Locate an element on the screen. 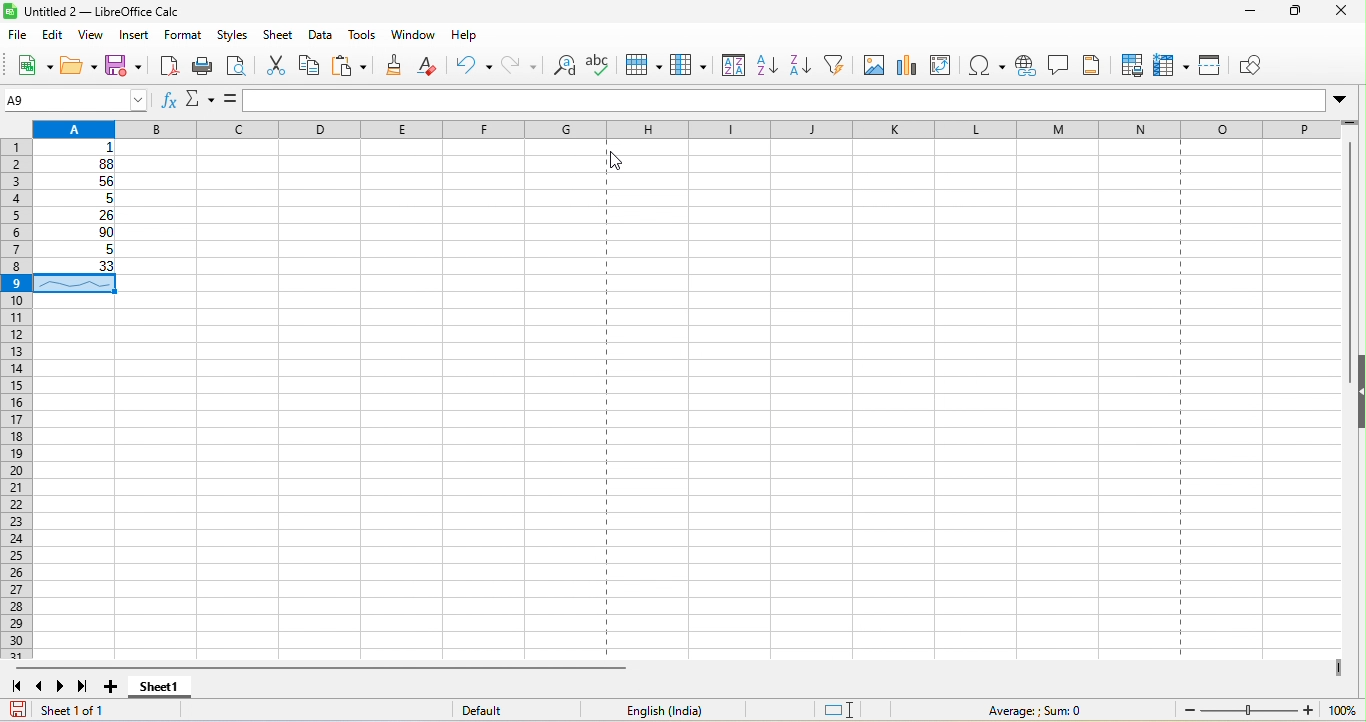 The image size is (1366, 722). split window is located at coordinates (1210, 66).